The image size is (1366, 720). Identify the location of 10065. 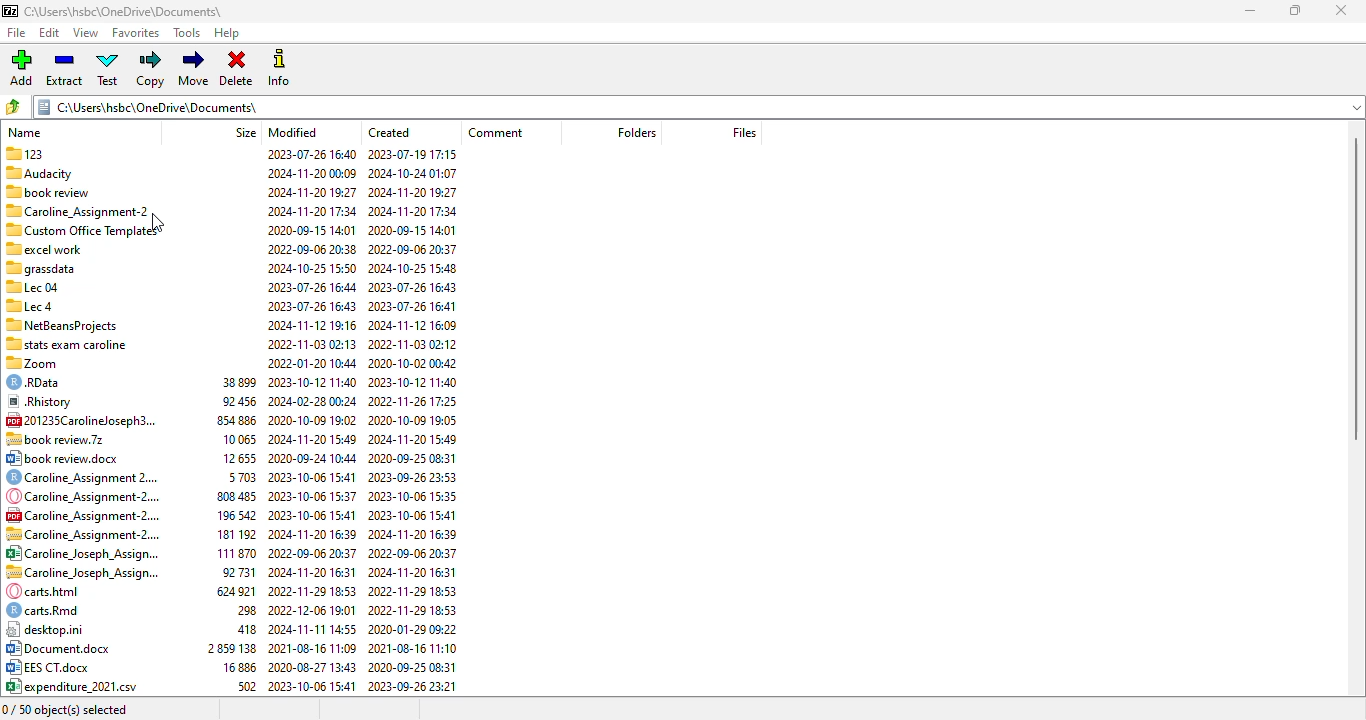
(237, 439).